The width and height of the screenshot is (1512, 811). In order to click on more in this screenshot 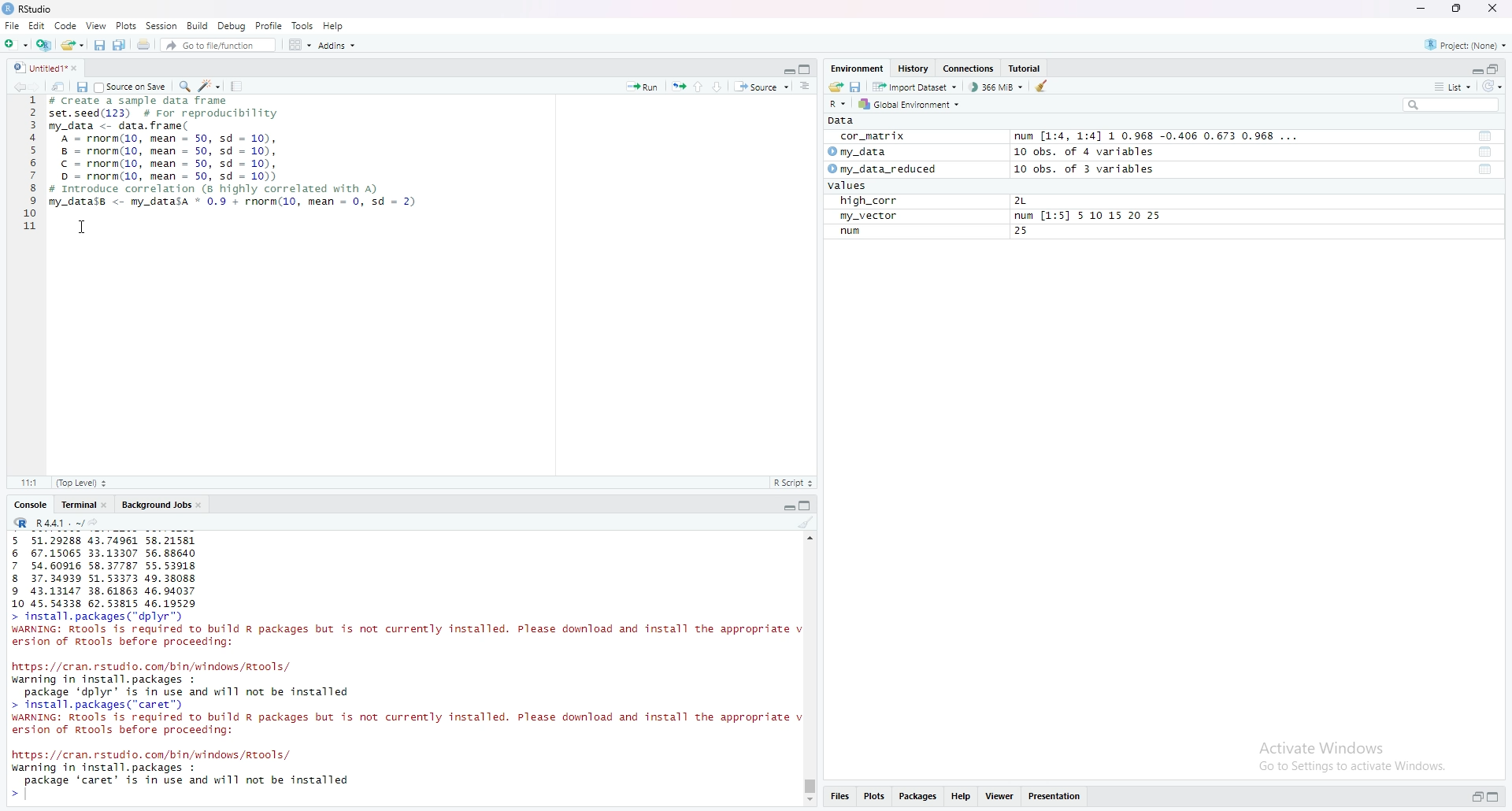, I will do `click(806, 86)`.